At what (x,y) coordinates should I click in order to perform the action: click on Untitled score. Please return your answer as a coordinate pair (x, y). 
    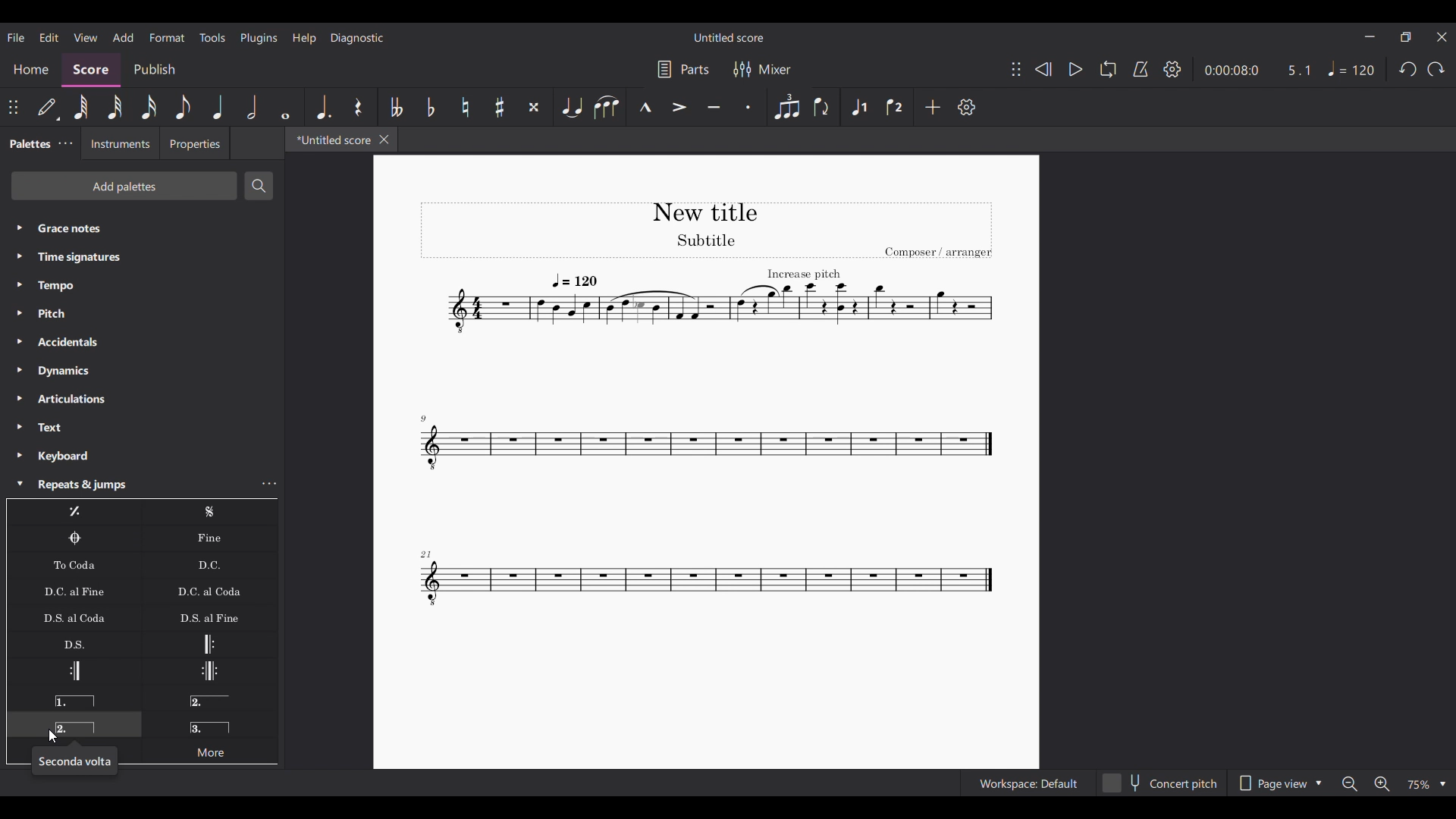
    Looking at the image, I should click on (729, 38).